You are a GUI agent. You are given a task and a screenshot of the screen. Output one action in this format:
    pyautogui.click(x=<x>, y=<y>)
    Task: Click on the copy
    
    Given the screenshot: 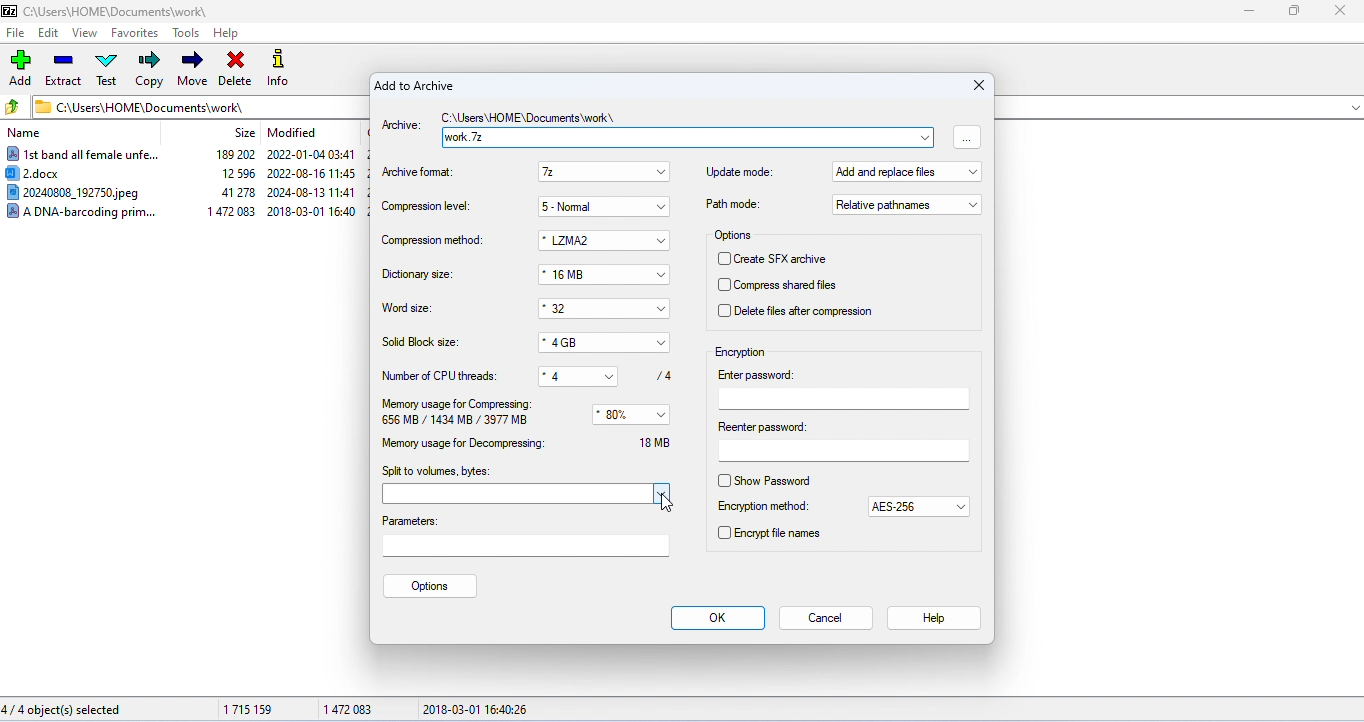 What is the action you would take?
    pyautogui.click(x=151, y=69)
    